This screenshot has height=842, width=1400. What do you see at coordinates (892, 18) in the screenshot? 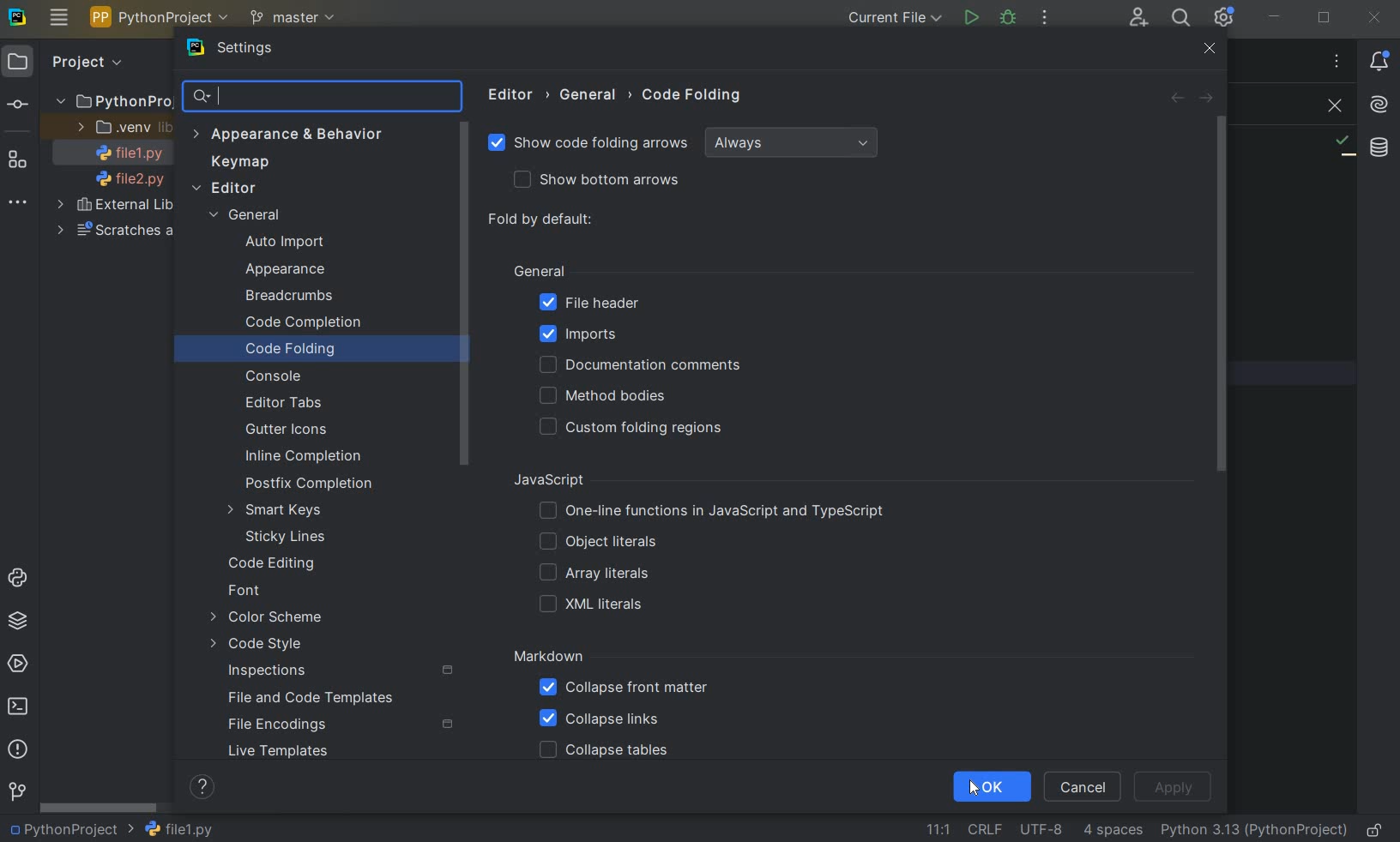
I see `CURRENT FILE` at bounding box center [892, 18].